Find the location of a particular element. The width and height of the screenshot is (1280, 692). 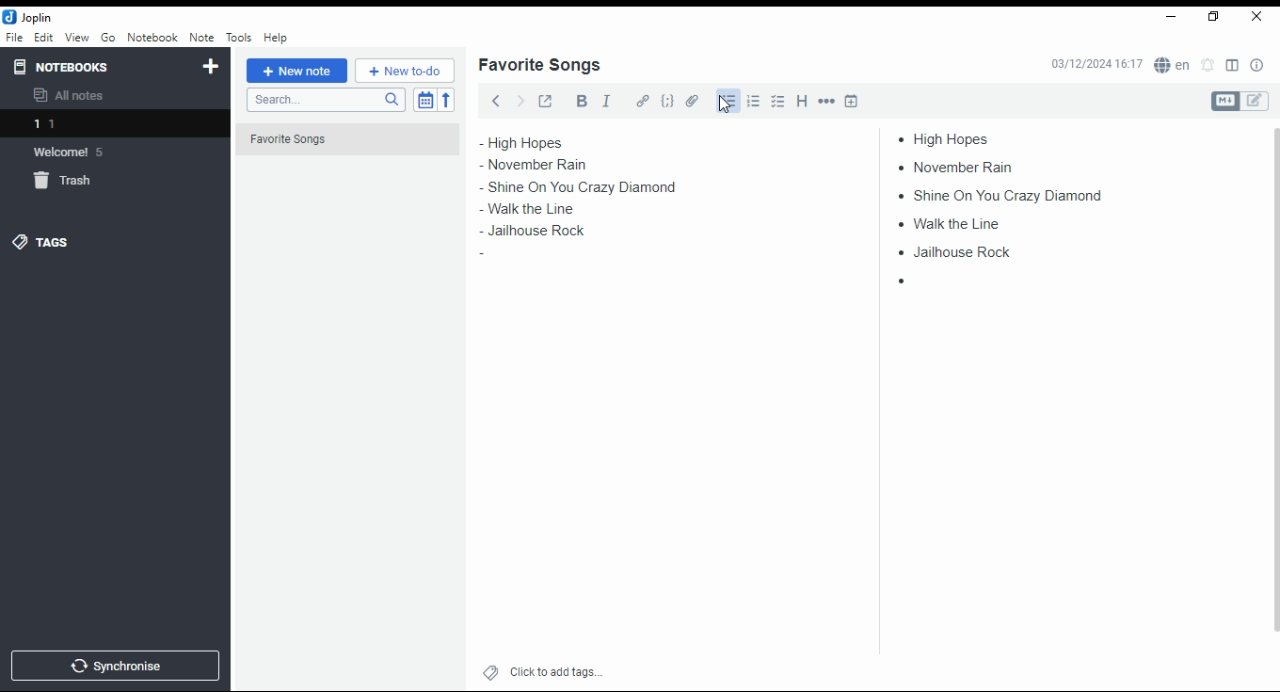

spell checker is located at coordinates (1174, 64).